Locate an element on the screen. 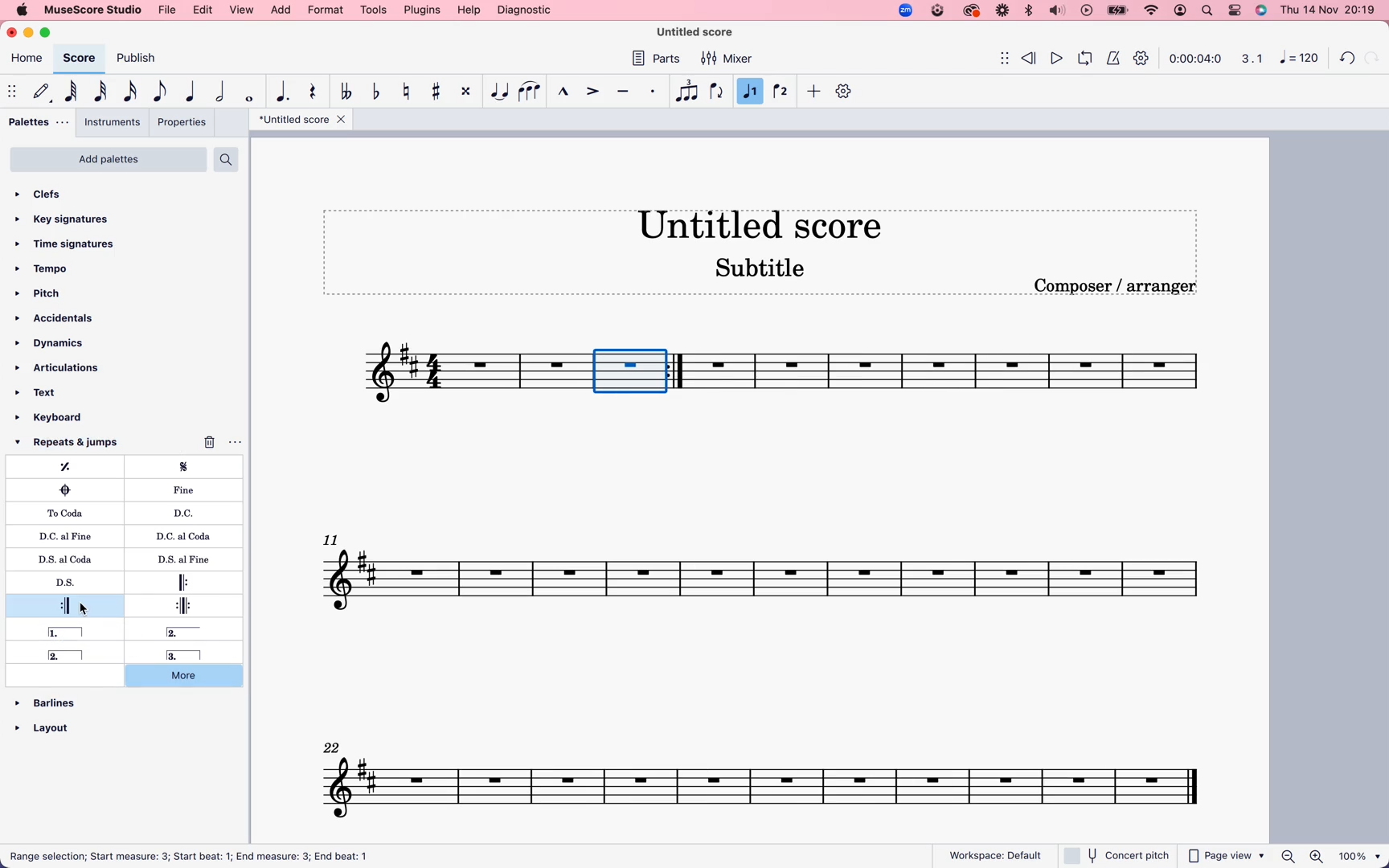 The height and width of the screenshot is (868, 1389). dynamics is located at coordinates (59, 344).